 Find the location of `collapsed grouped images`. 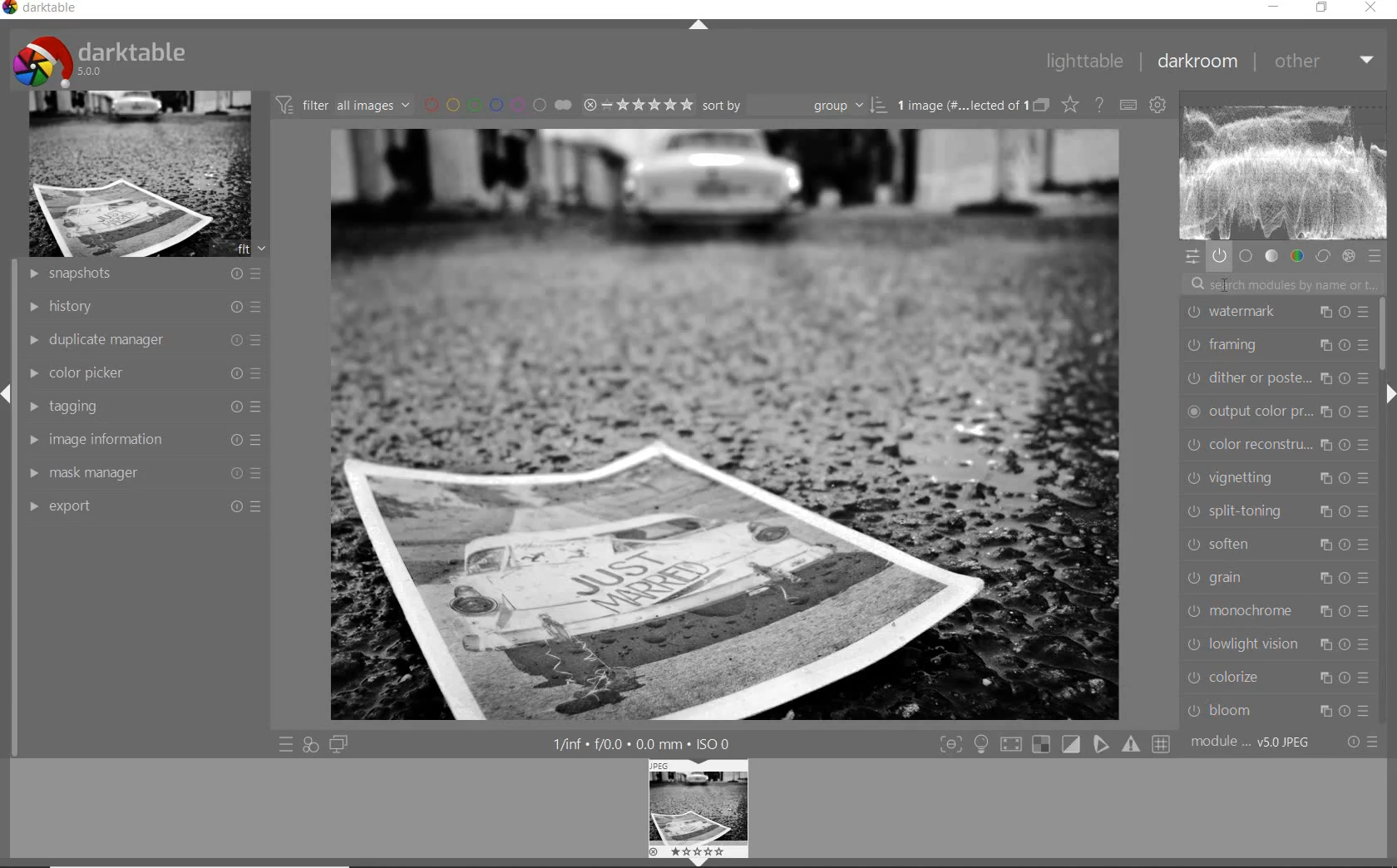

collapsed grouped images is located at coordinates (1042, 105).